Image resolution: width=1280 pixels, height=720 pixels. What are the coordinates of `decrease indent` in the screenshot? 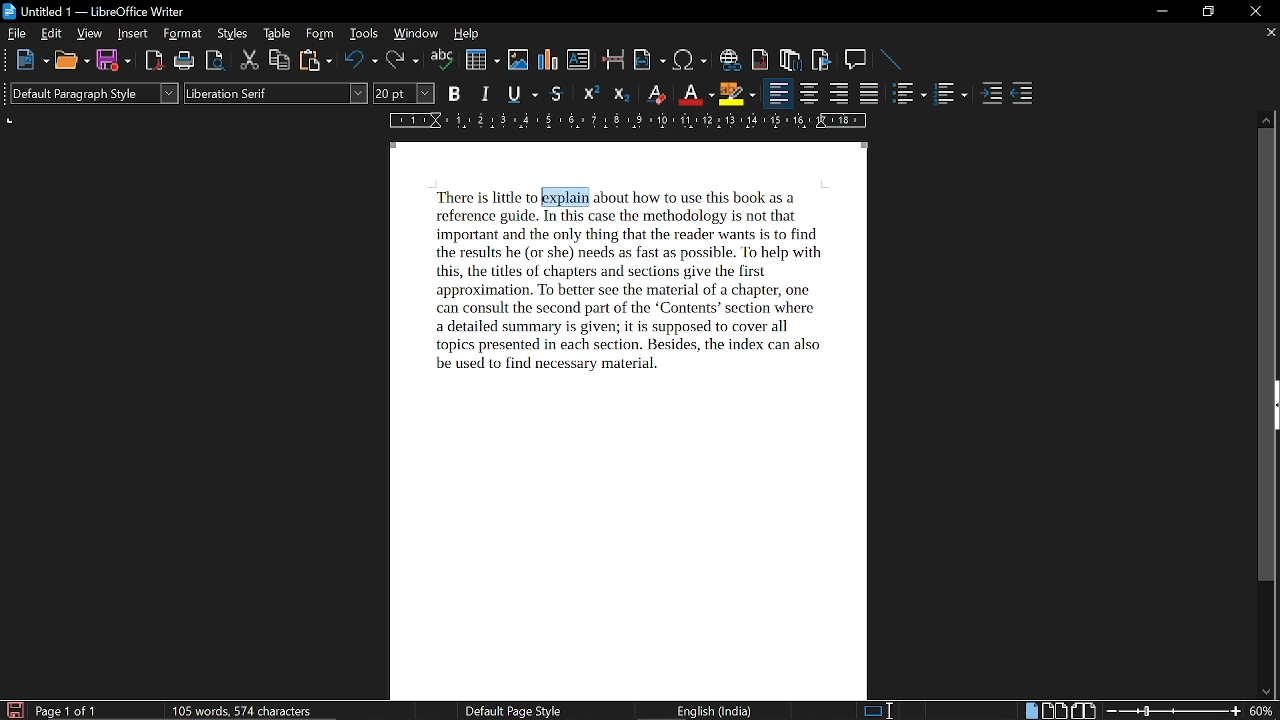 It's located at (1022, 94).